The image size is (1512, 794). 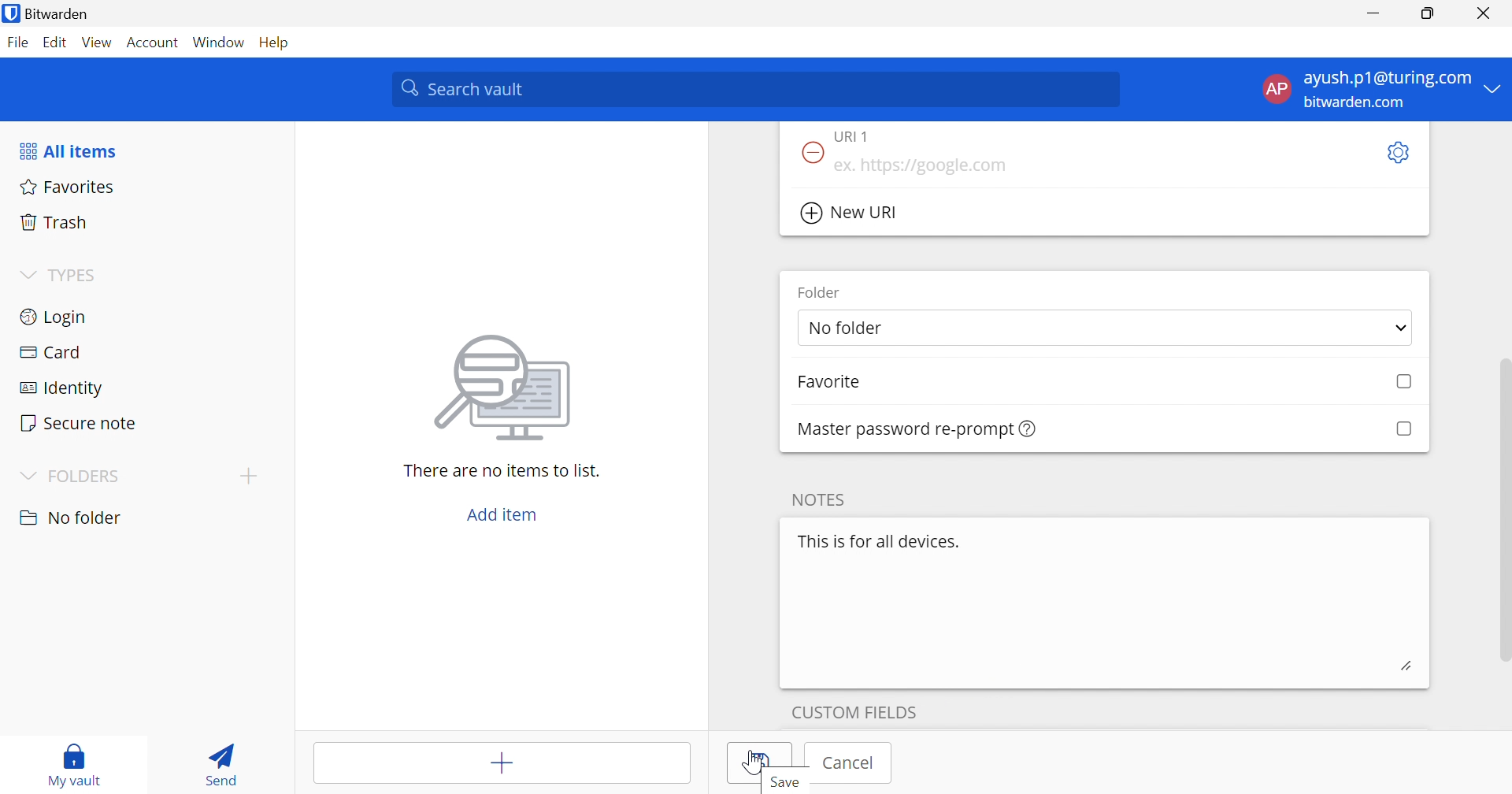 What do you see at coordinates (217, 761) in the screenshot?
I see `Send` at bounding box center [217, 761].